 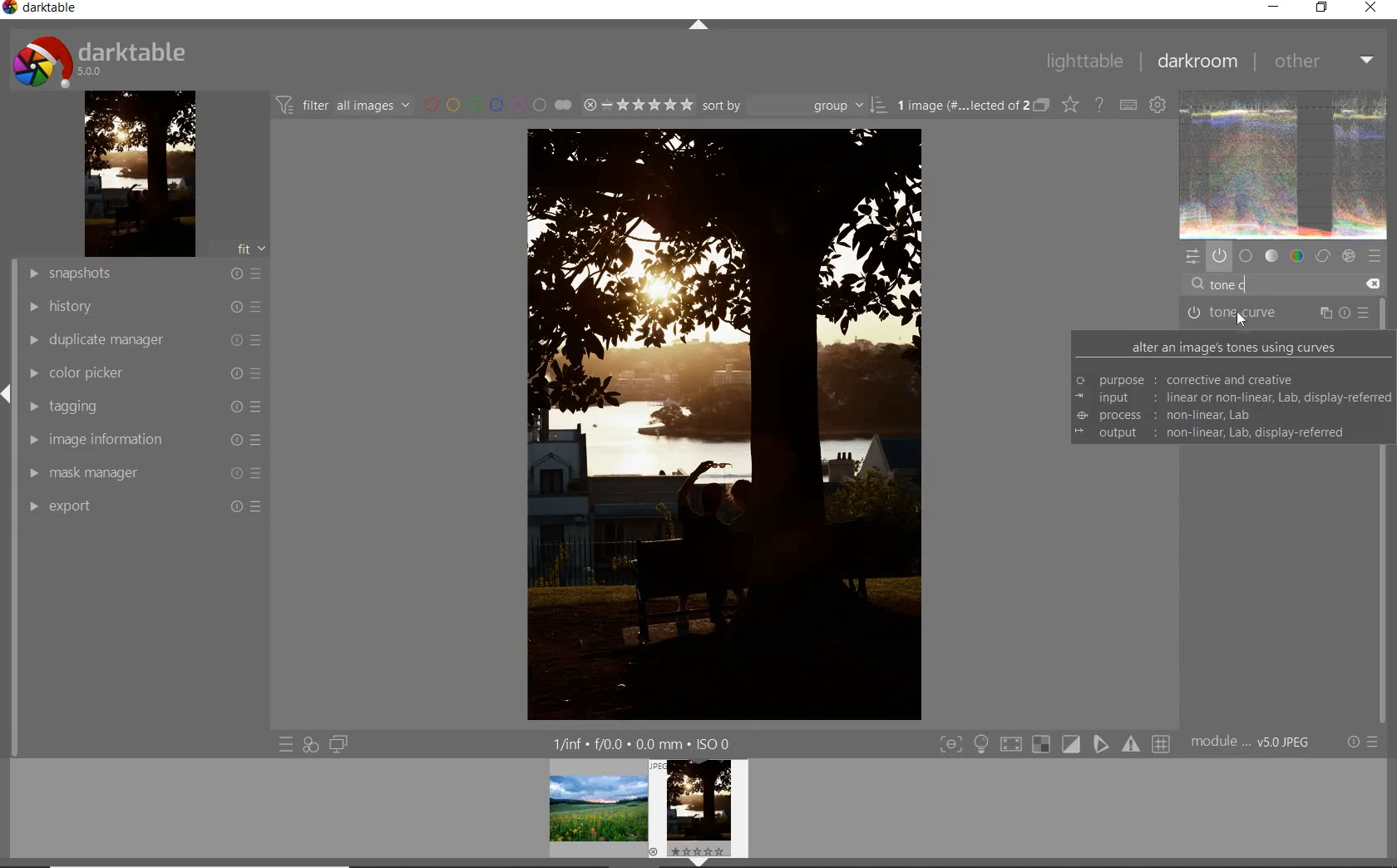 I want to click on cursor, so click(x=1211, y=285).